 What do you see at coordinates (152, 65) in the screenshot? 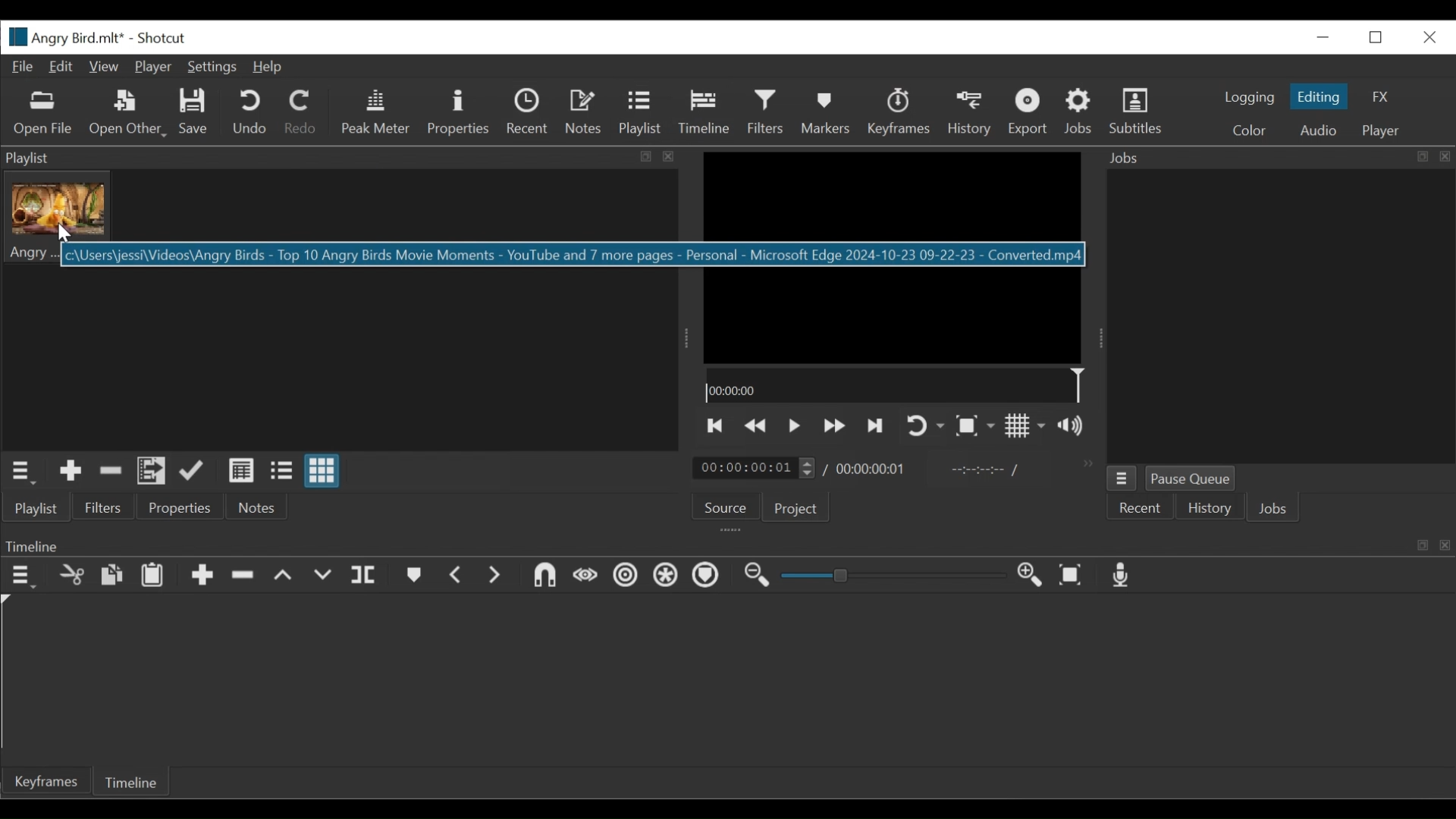
I see `Player` at bounding box center [152, 65].